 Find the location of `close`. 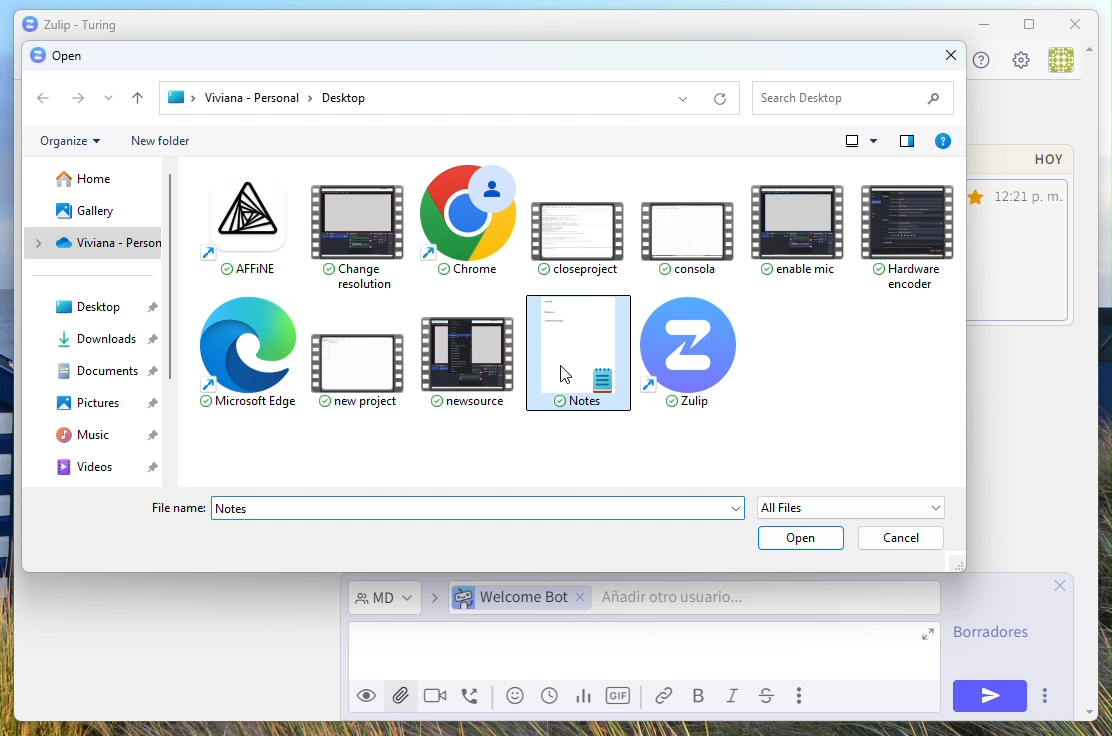

close is located at coordinates (939, 58).